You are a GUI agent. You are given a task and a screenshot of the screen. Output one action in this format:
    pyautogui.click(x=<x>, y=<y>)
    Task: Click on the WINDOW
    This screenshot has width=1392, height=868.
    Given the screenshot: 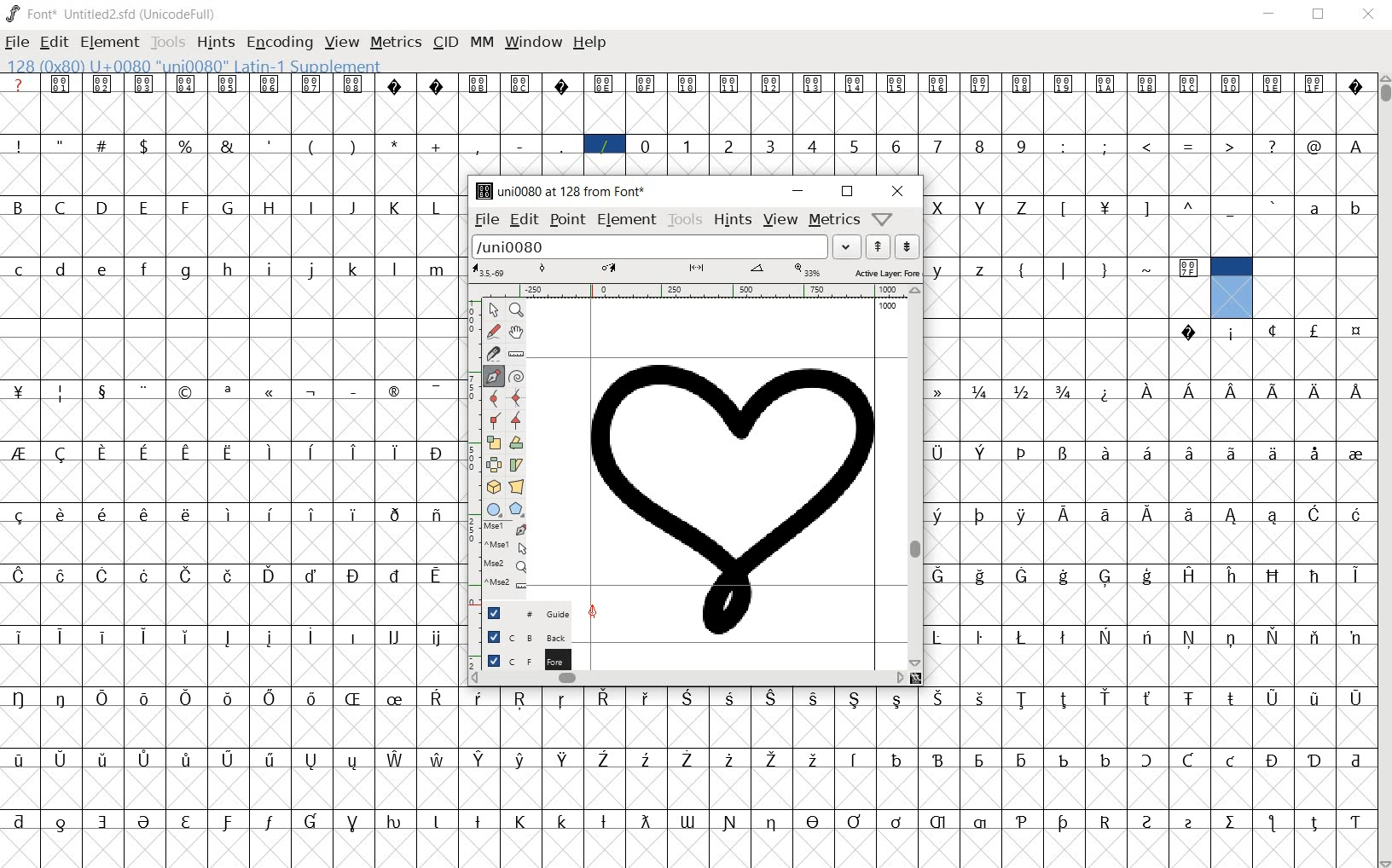 What is the action you would take?
    pyautogui.click(x=531, y=42)
    